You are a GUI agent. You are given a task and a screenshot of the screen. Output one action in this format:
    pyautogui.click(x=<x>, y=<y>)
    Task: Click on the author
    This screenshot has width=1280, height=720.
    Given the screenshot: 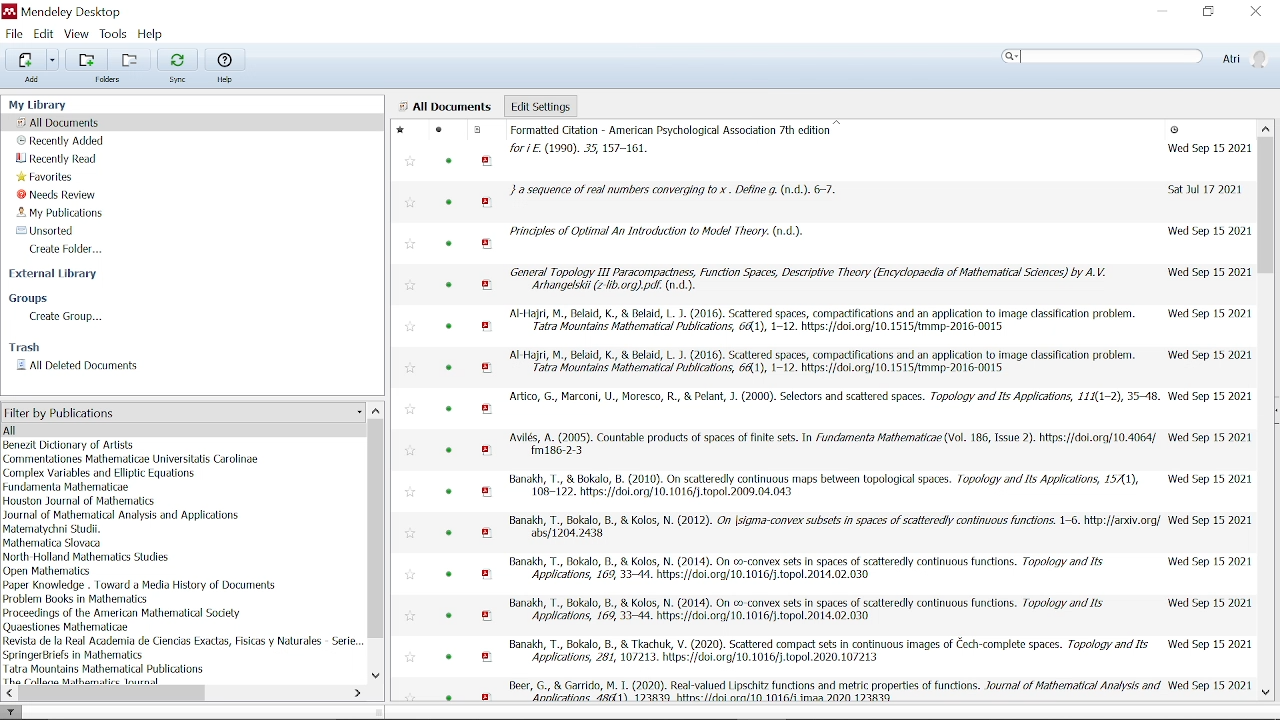 What is the action you would take?
    pyautogui.click(x=99, y=474)
    